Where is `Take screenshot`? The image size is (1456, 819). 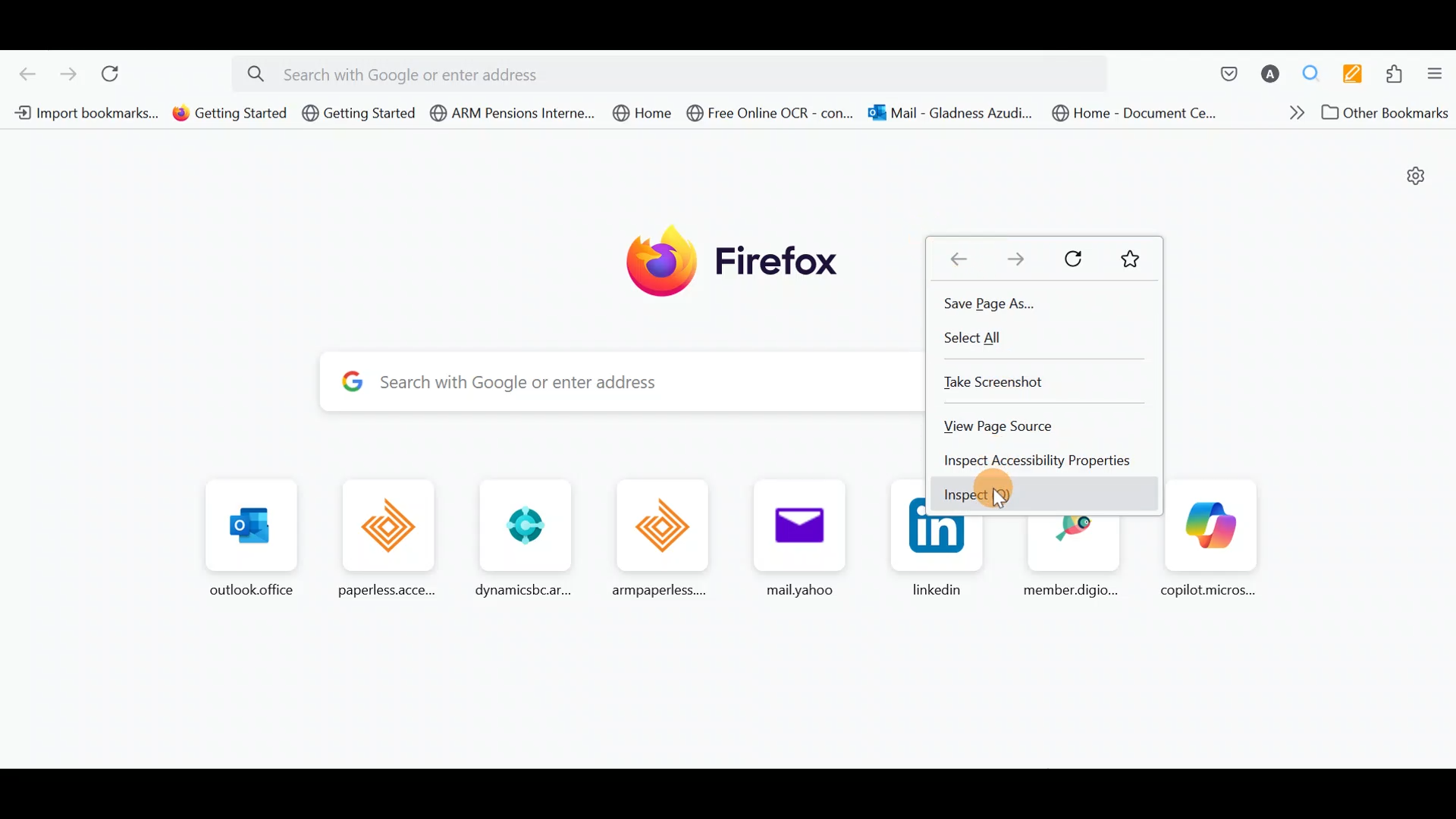 Take screenshot is located at coordinates (995, 380).